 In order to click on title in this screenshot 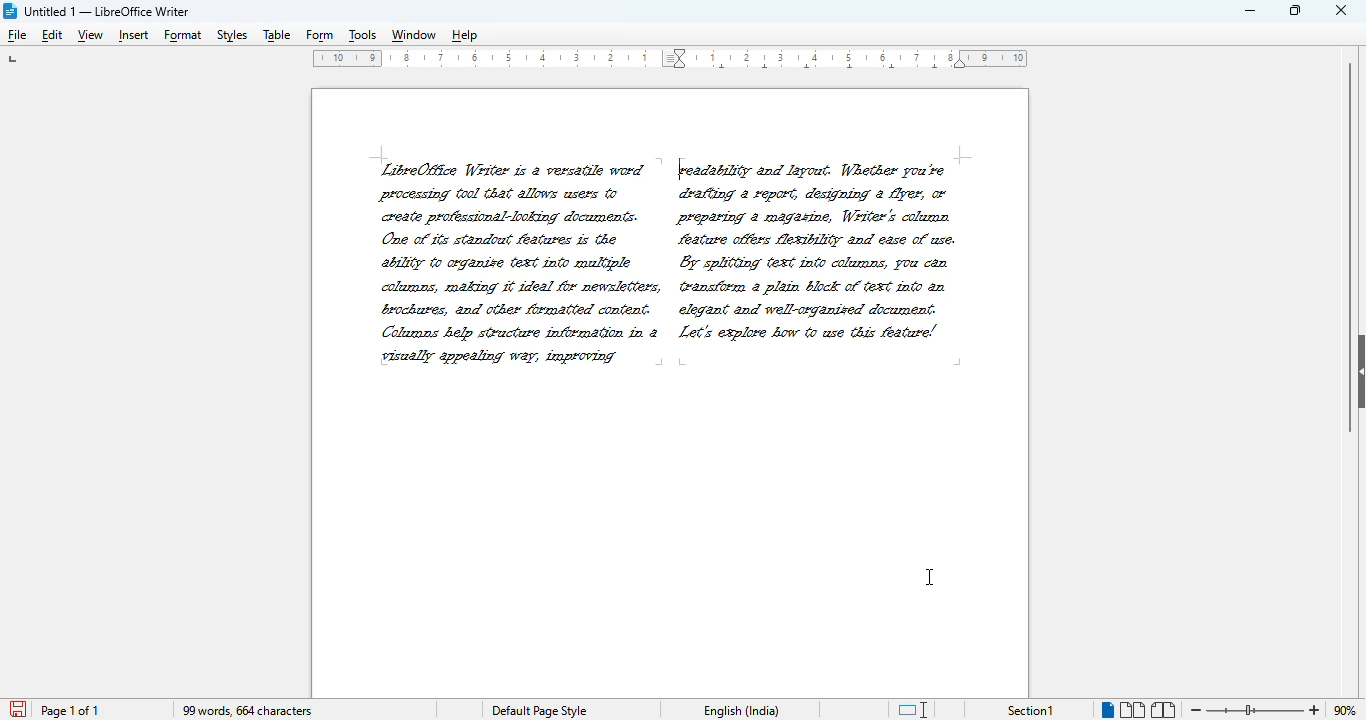, I will do `click(106, 11)`.